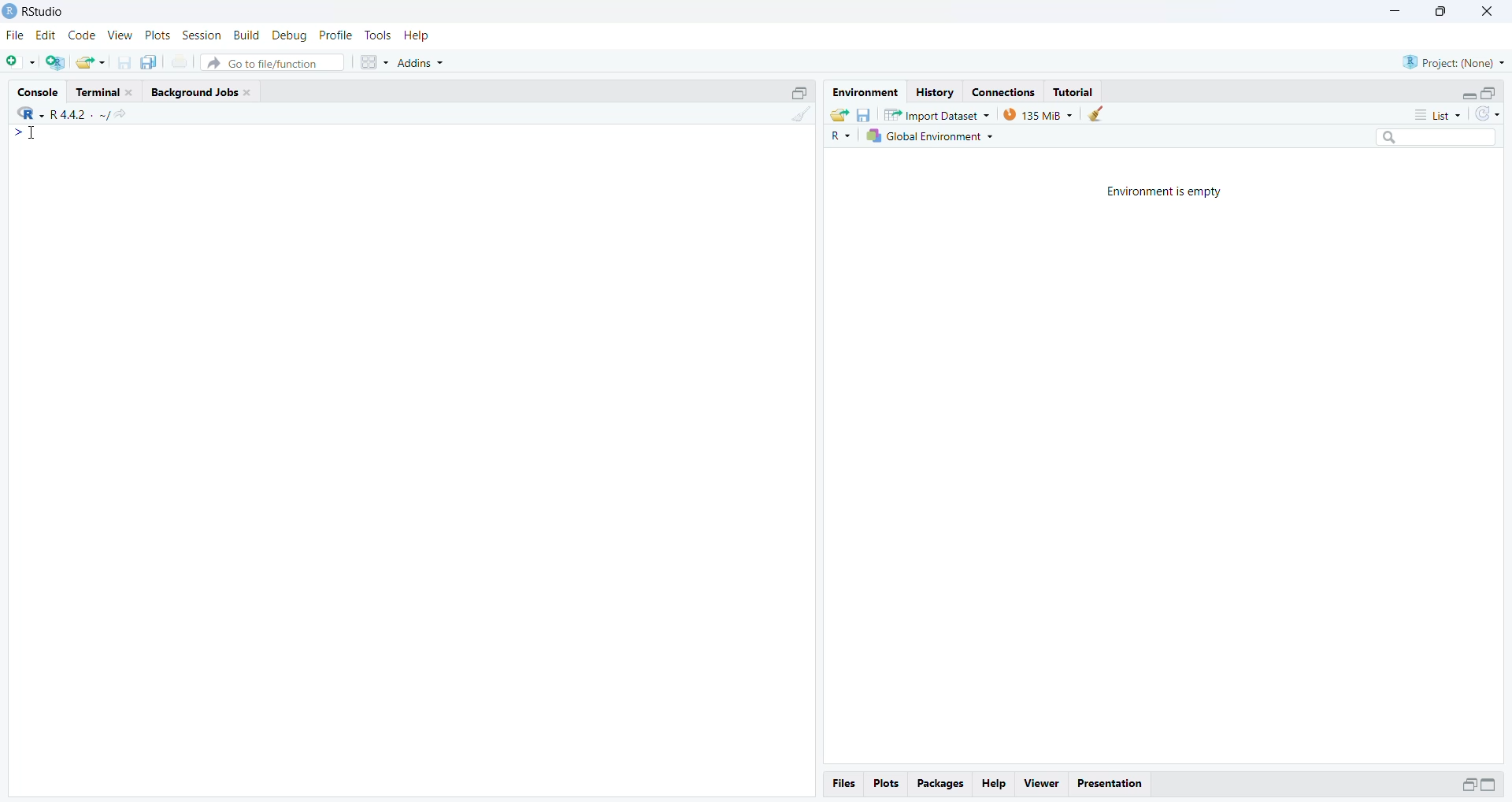  What do you see at coordinates (24, 137) in the screenshot?
I see `Prompt cursor` at bounding box center [24, 137].